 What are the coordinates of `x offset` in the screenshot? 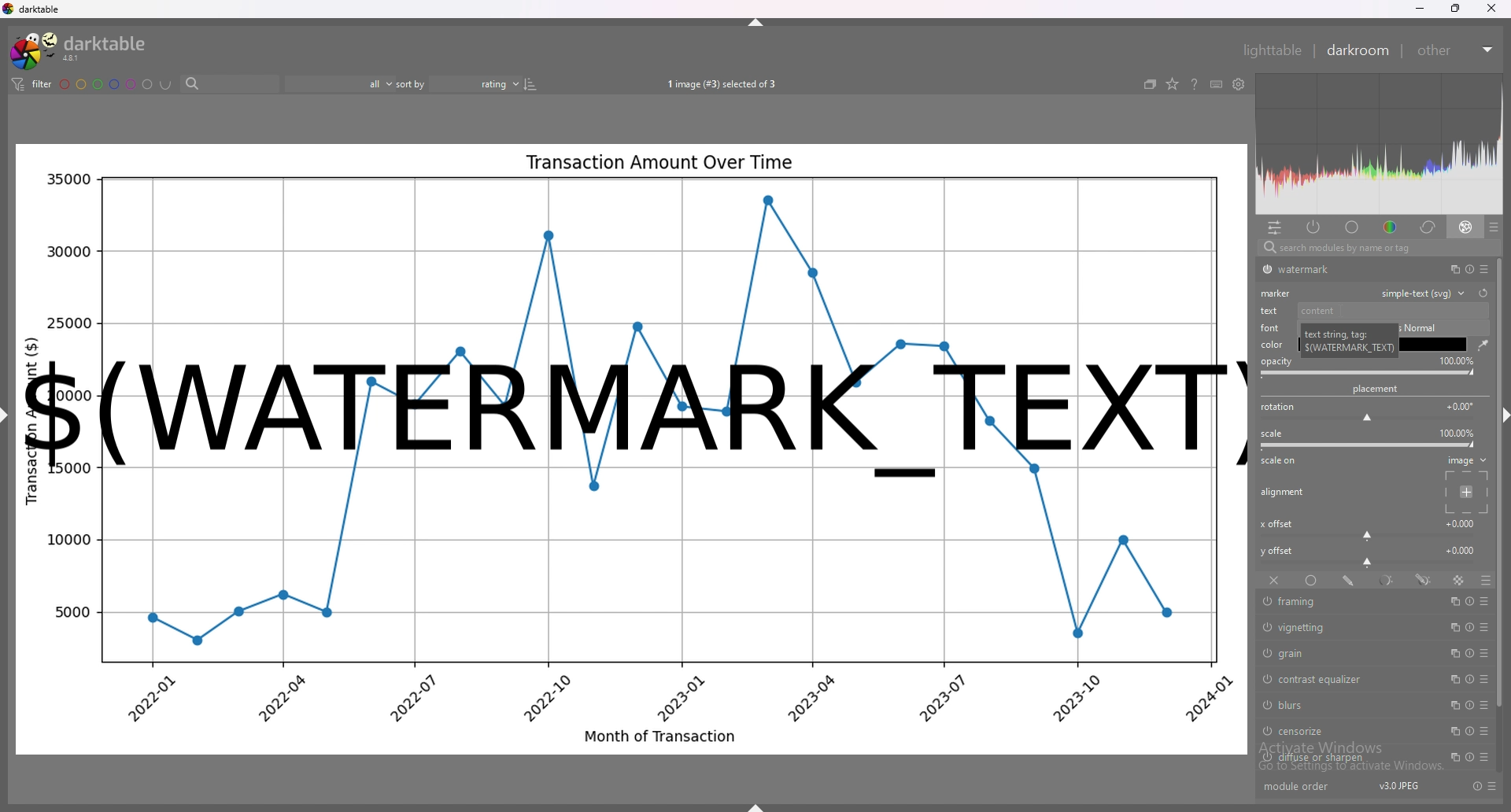 It's located at (1462, 522).